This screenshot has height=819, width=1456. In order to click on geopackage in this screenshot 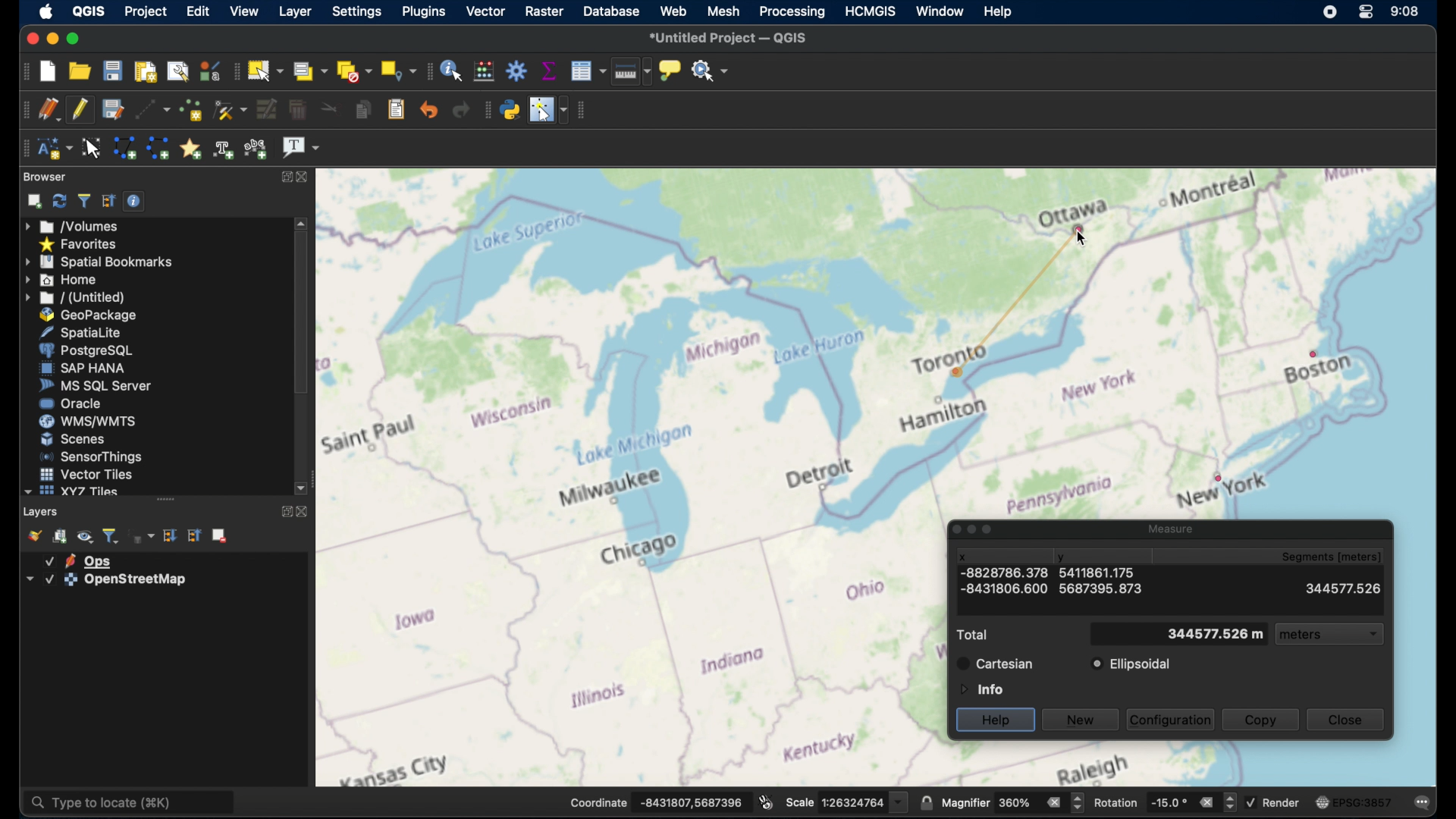, I will do `click(89, 315)`.